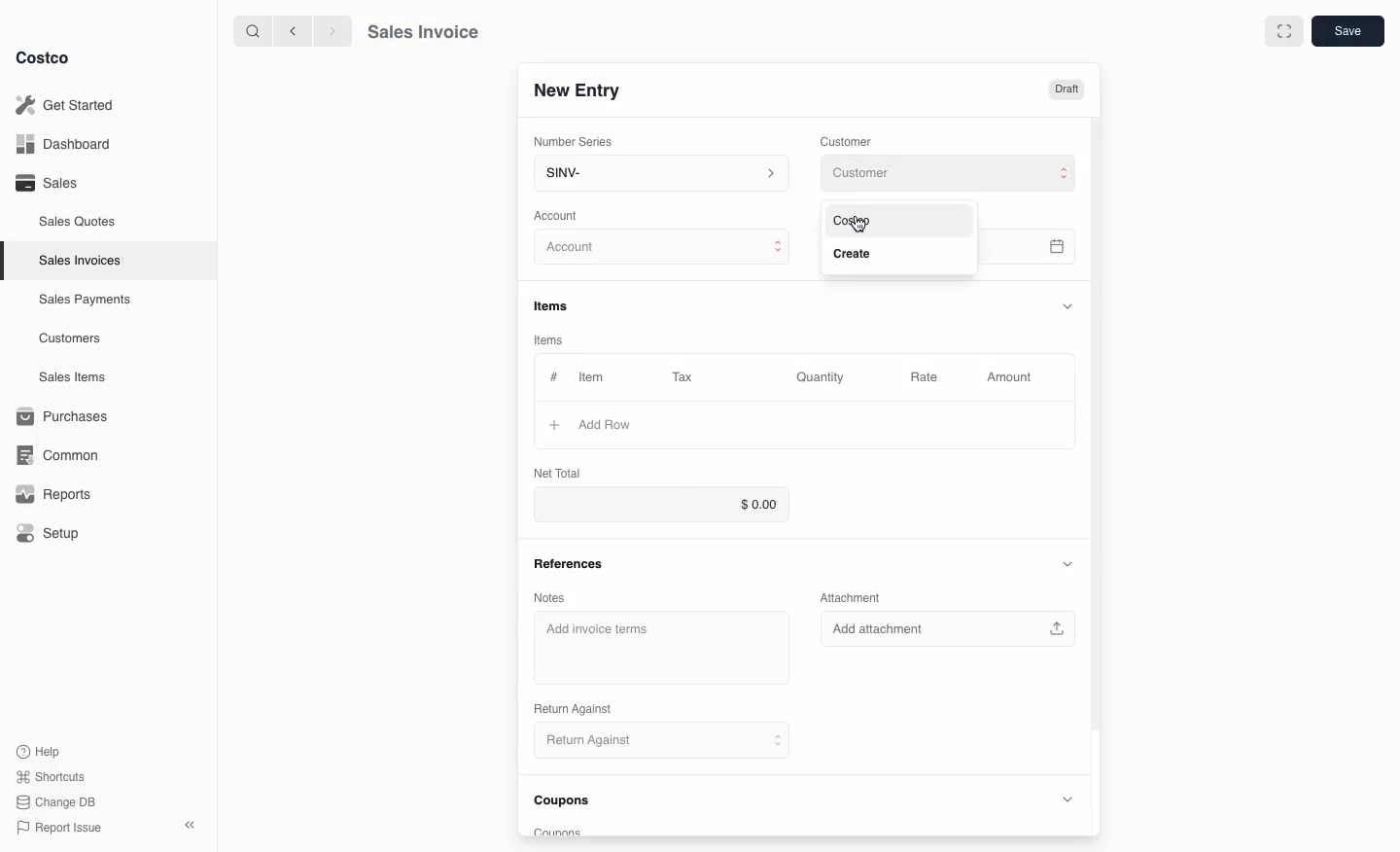 Image resolution: width=1400 pixels, height=852 pixels. I want to click on Report Issue, so click(59, 828).